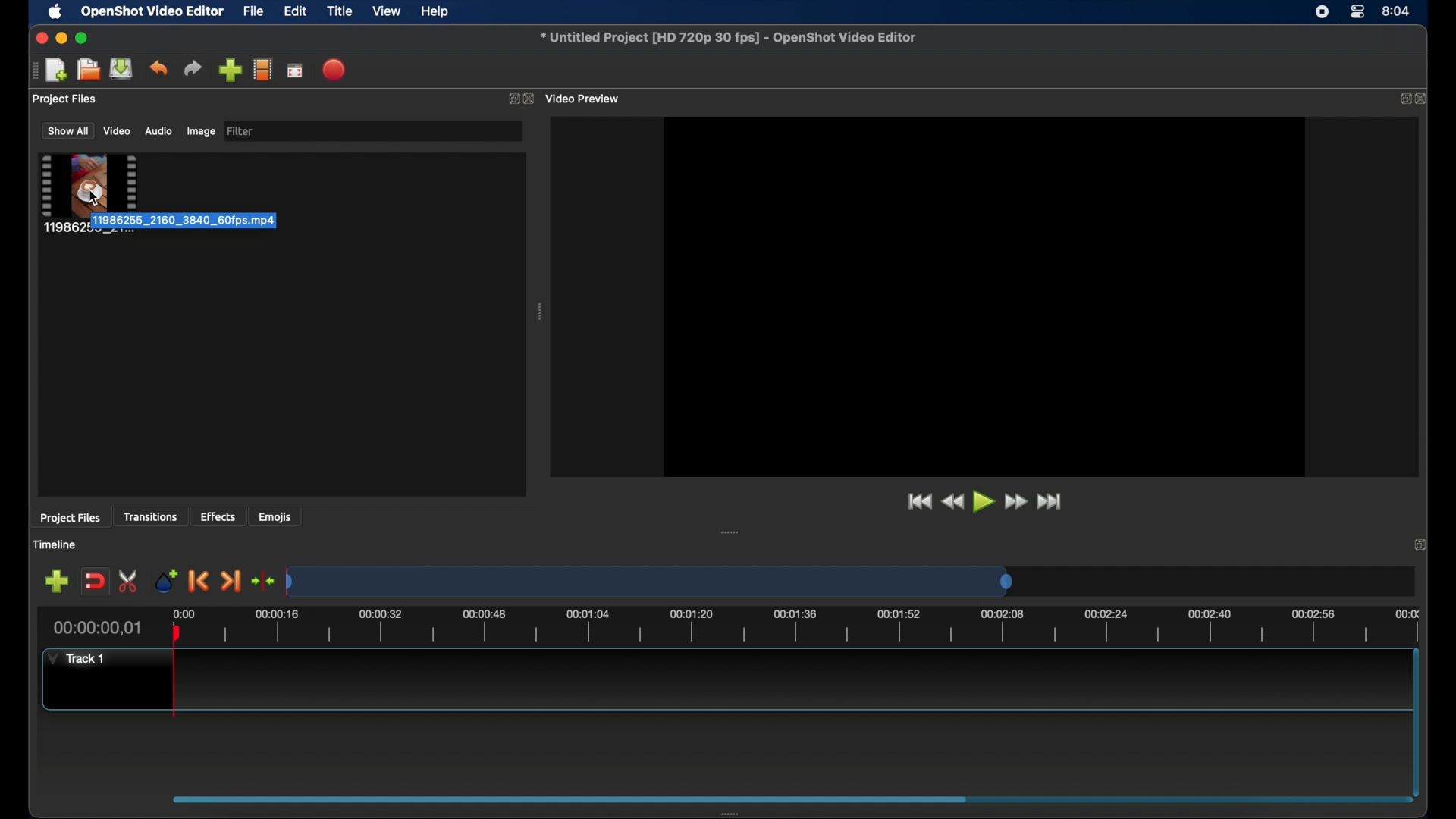 Image resolution: width=1456 pixels, height=819 pixels. I want to click on close, so click(529, 99).